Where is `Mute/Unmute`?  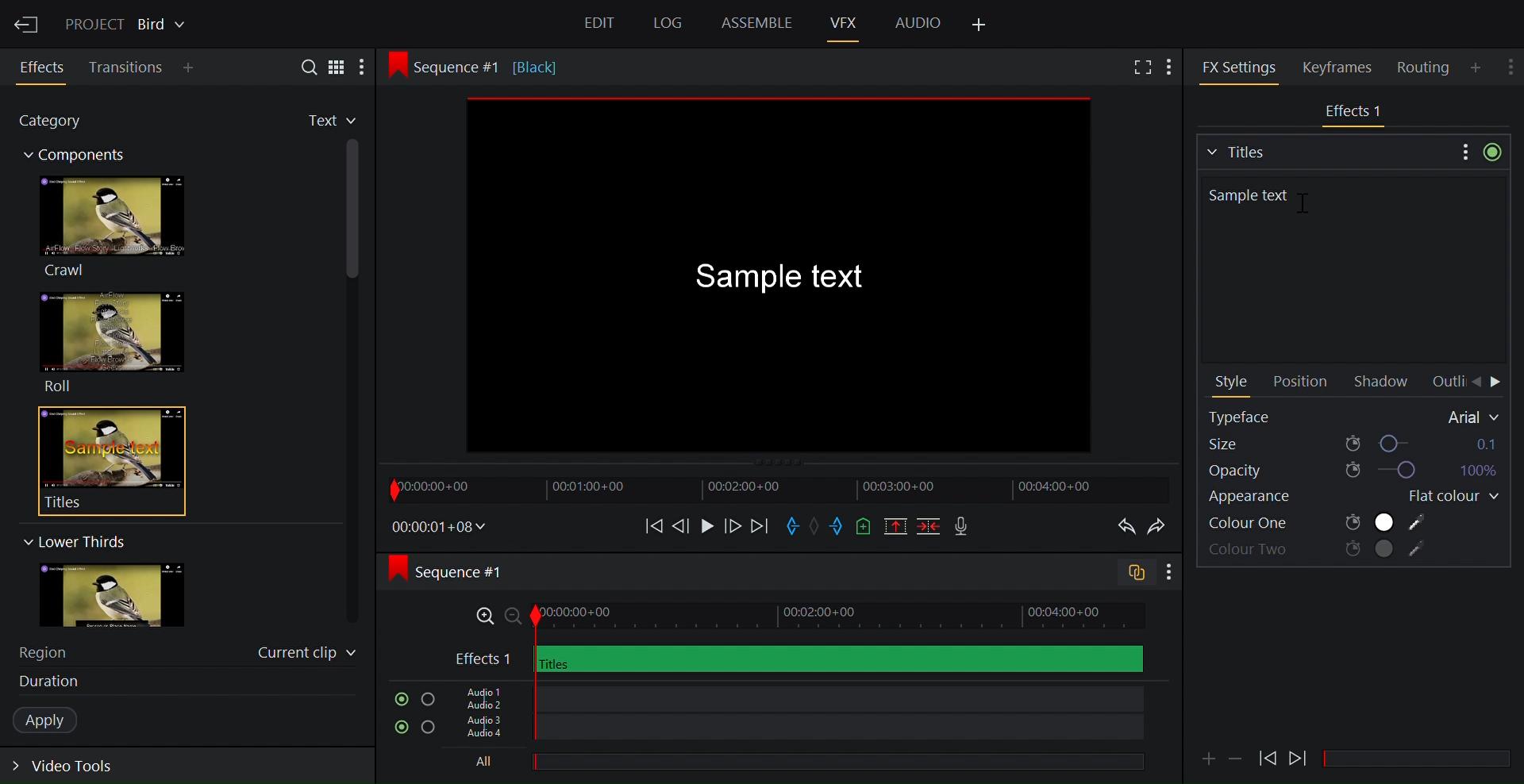
Mute/Unmute is located at coordinates (398, 728).